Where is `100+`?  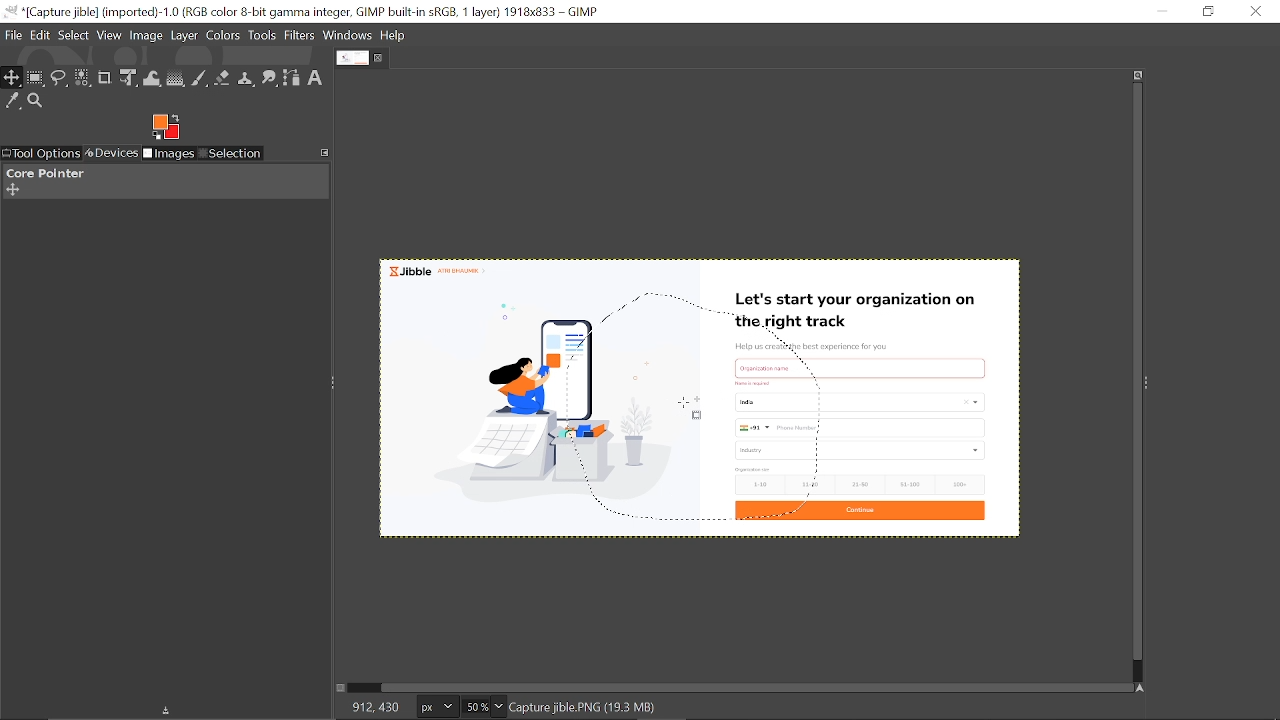
100+ is located at coordinates (958, 483).